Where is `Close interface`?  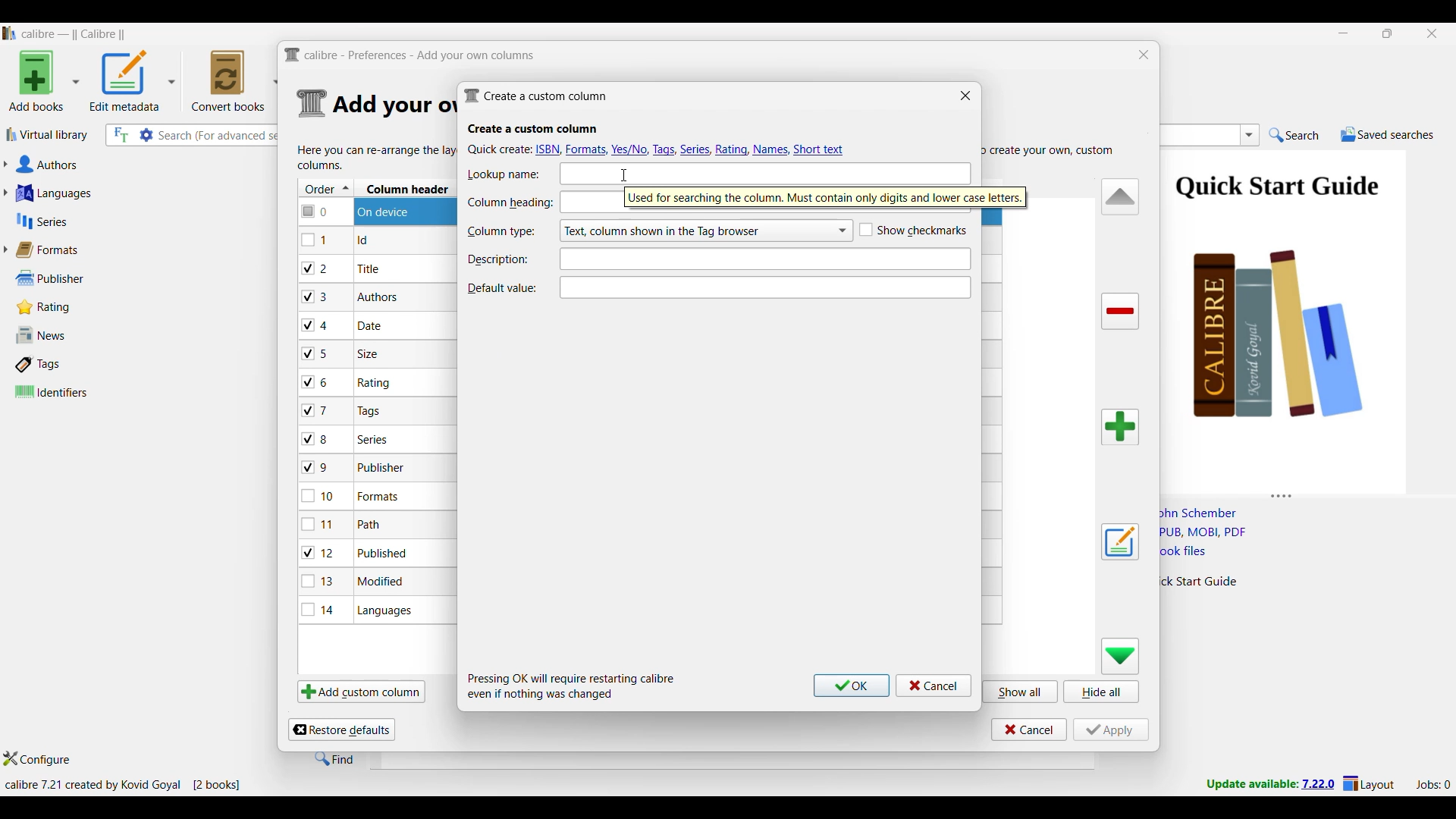
Close interface is located at coordinates (1432, 33).